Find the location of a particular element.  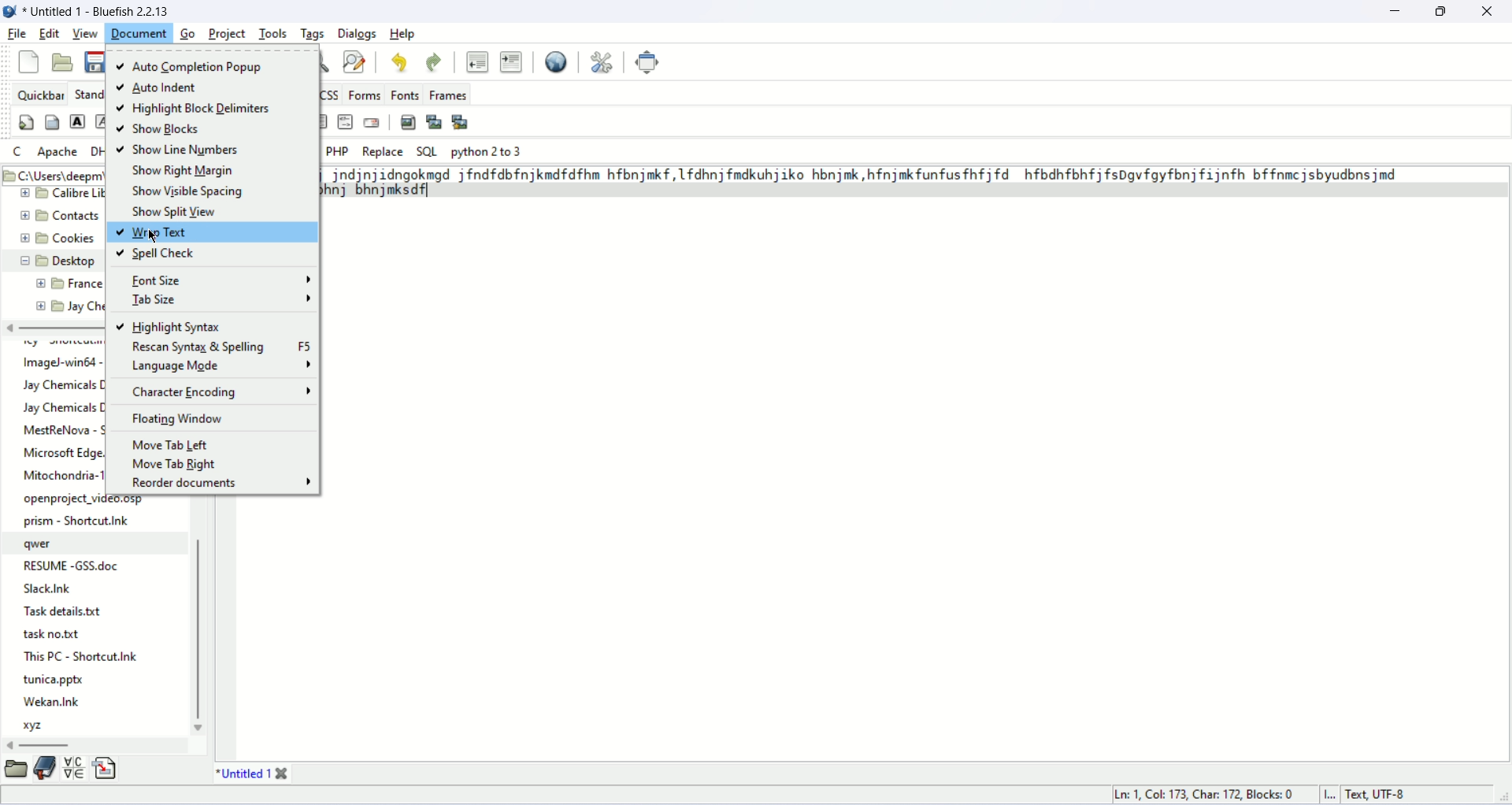

document is located at coordinates (139, 33).